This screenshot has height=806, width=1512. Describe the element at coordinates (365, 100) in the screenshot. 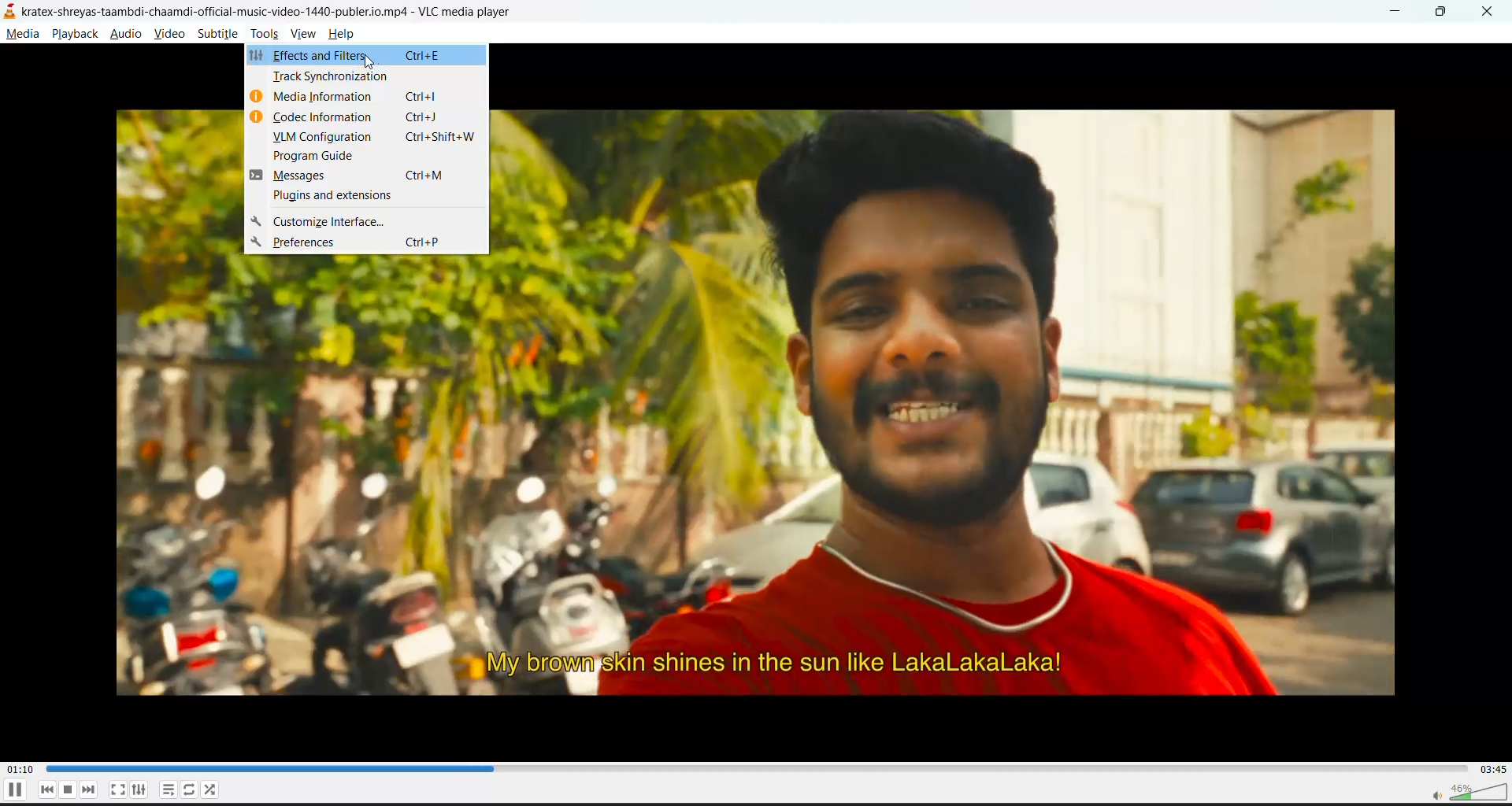

I see `media information` at that location.